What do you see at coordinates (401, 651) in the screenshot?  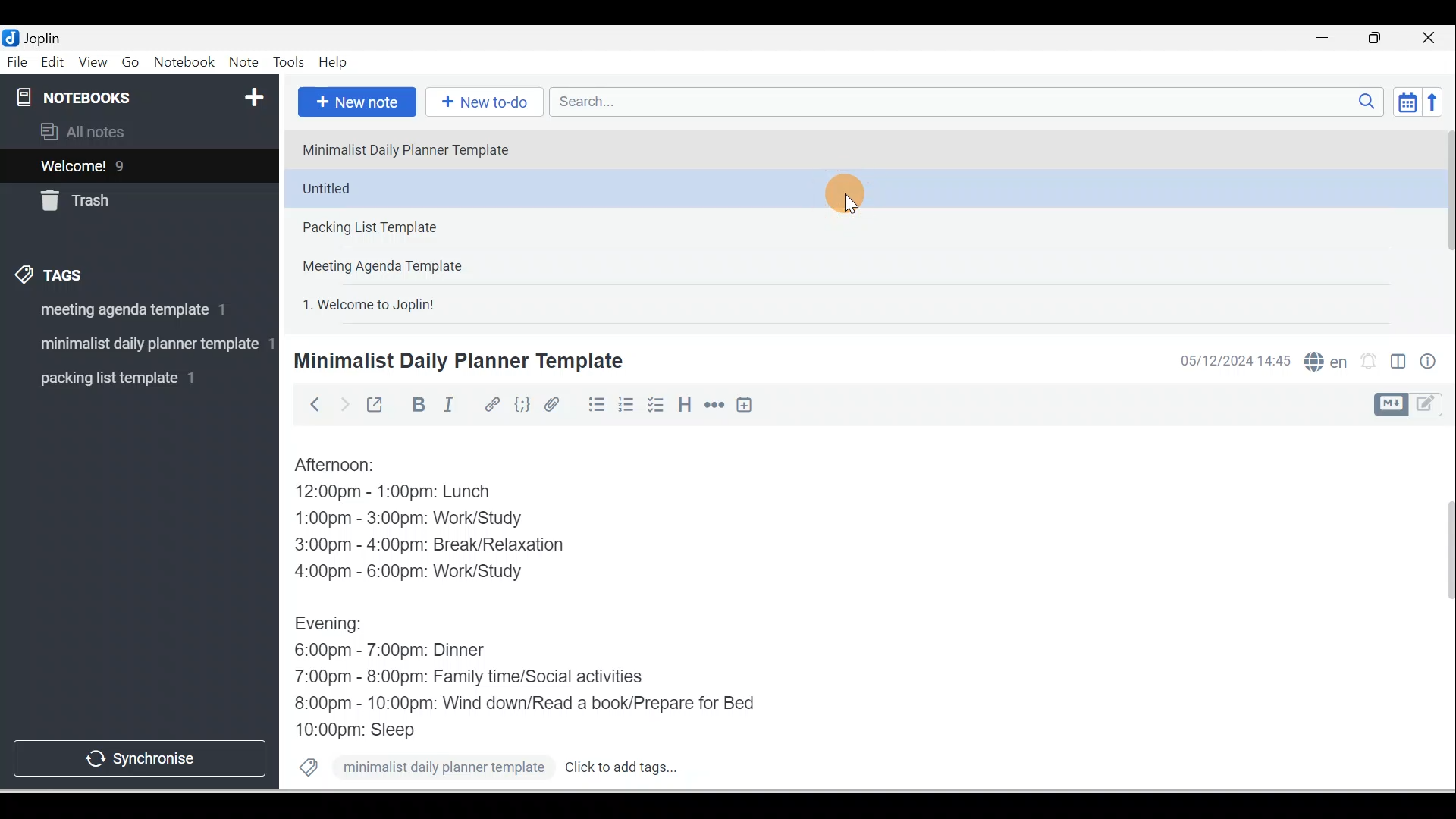 I see `6:00pm - 7:00pm: Dinner` at bounding box center [401, 651].